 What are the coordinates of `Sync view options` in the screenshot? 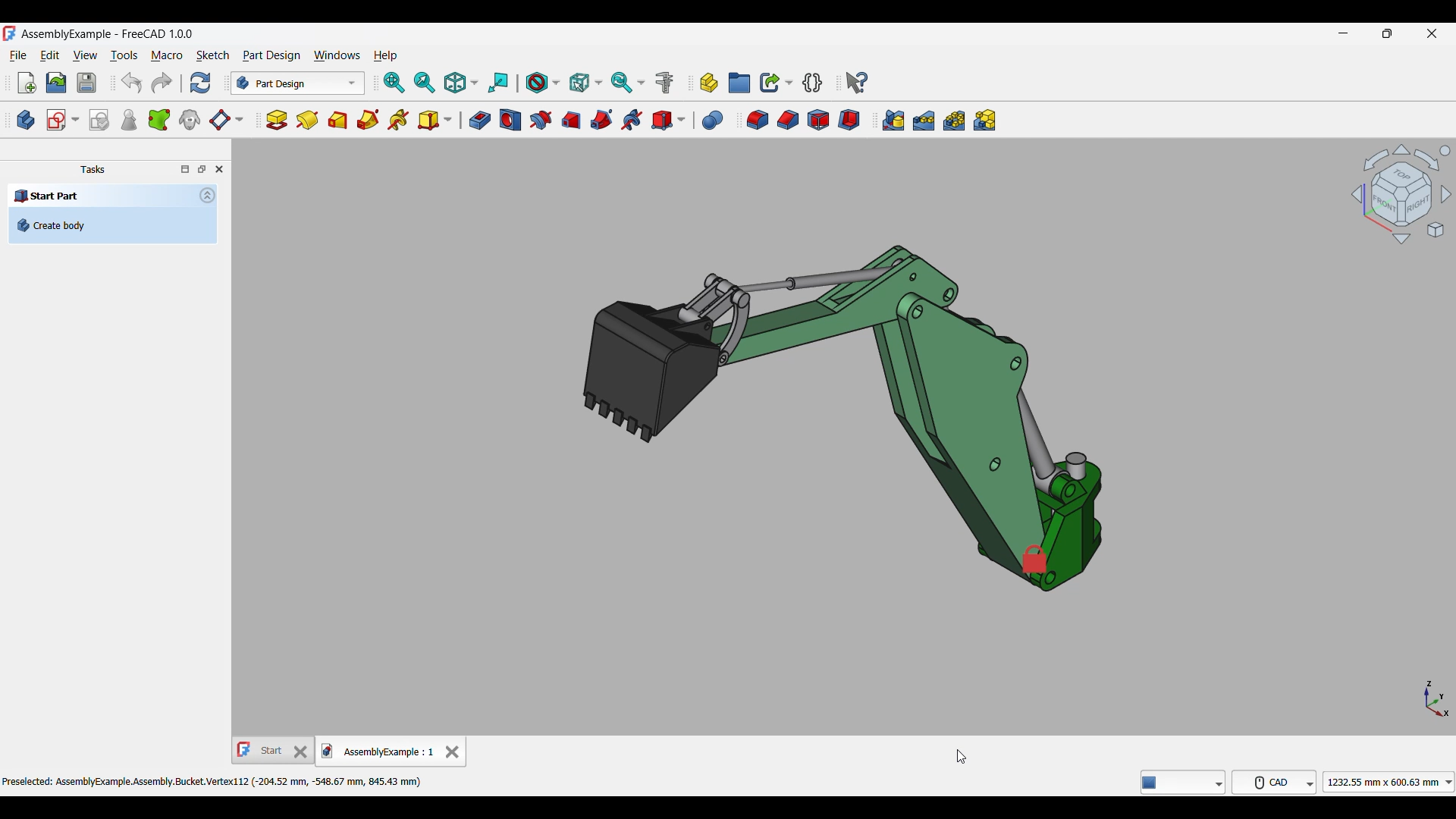 It's located at (627, 83).